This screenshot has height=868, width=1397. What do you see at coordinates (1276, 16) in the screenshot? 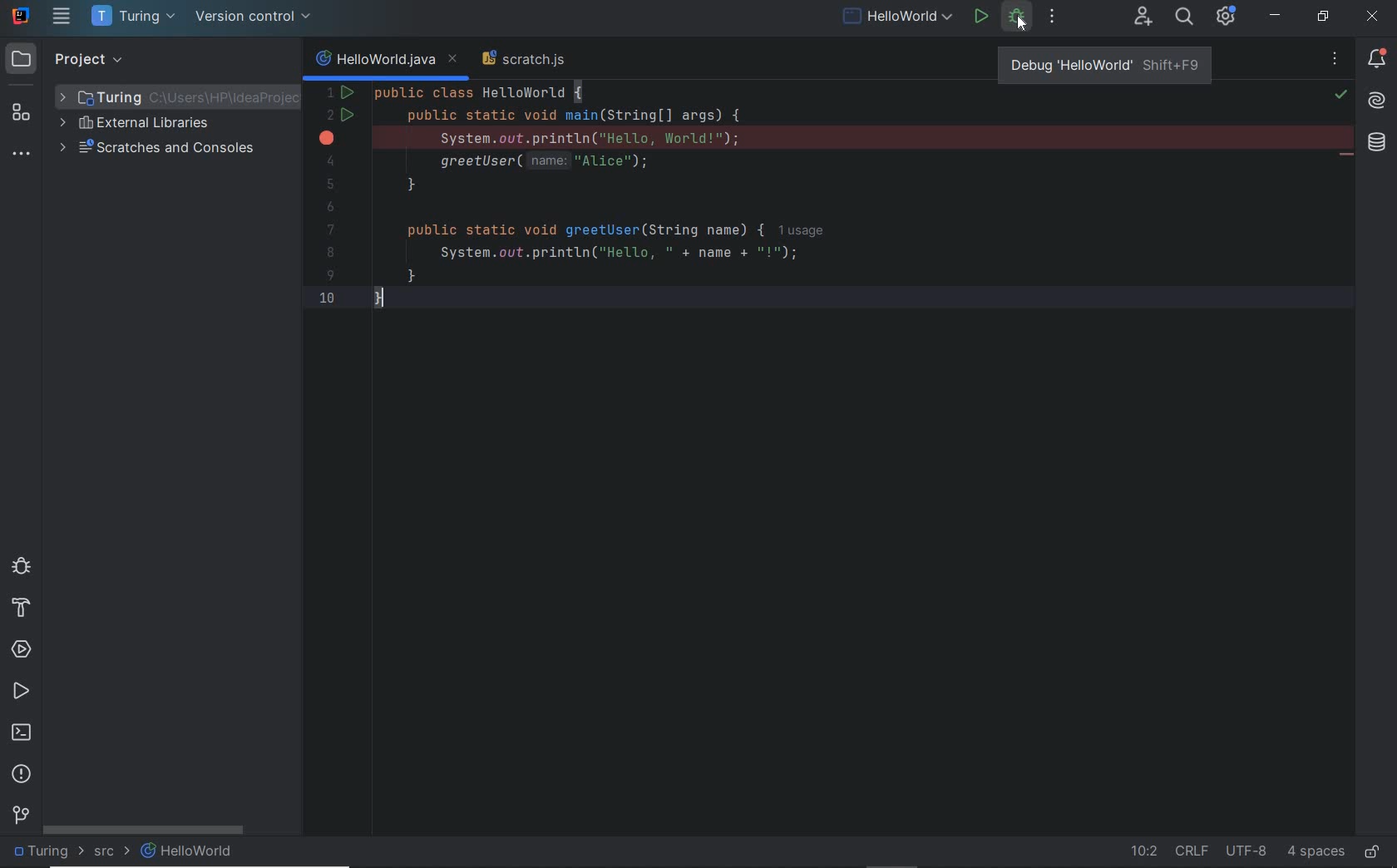
I see `minimize` at bounding box center [1276, 16].